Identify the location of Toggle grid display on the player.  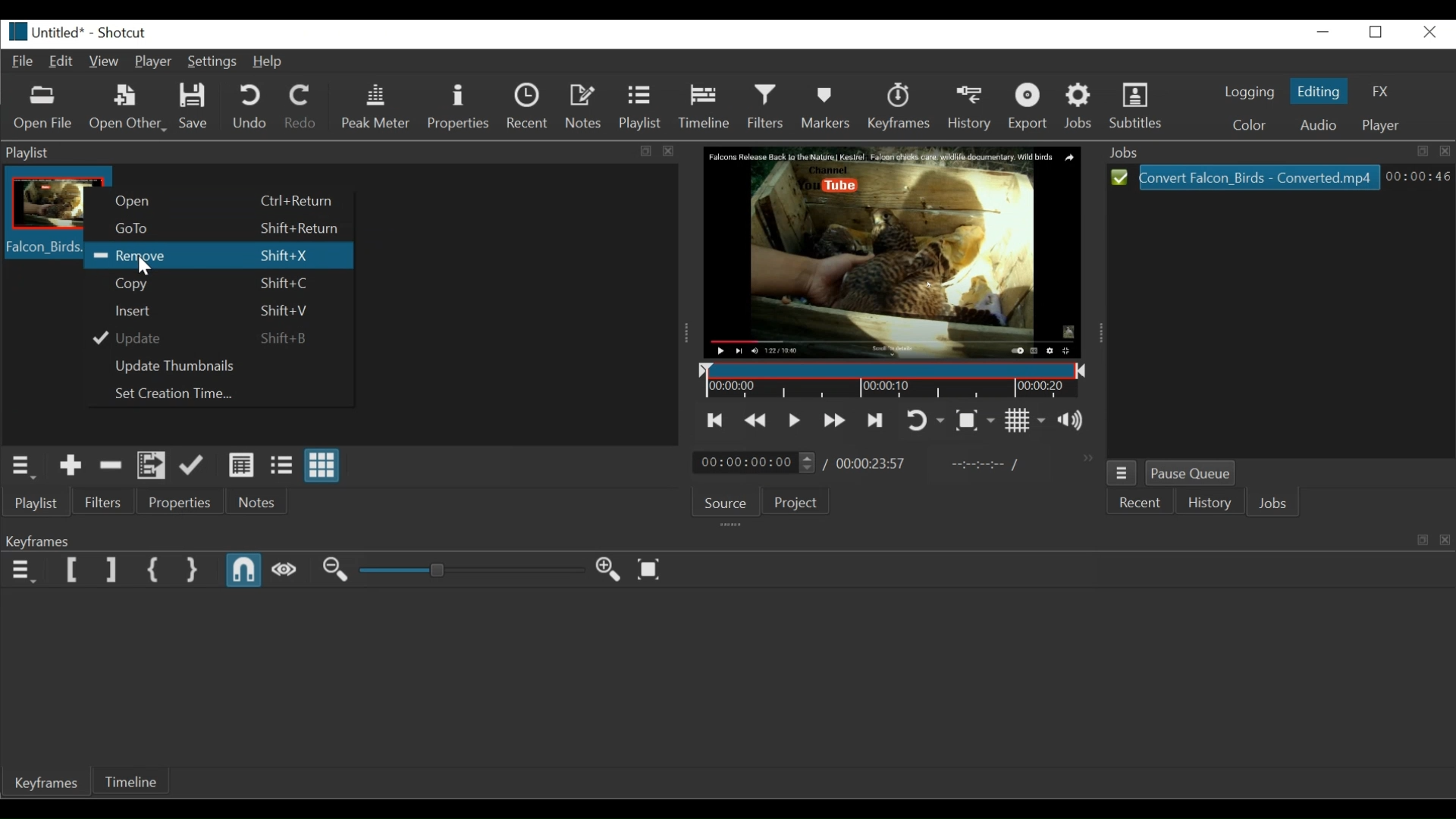
(1026, 422).